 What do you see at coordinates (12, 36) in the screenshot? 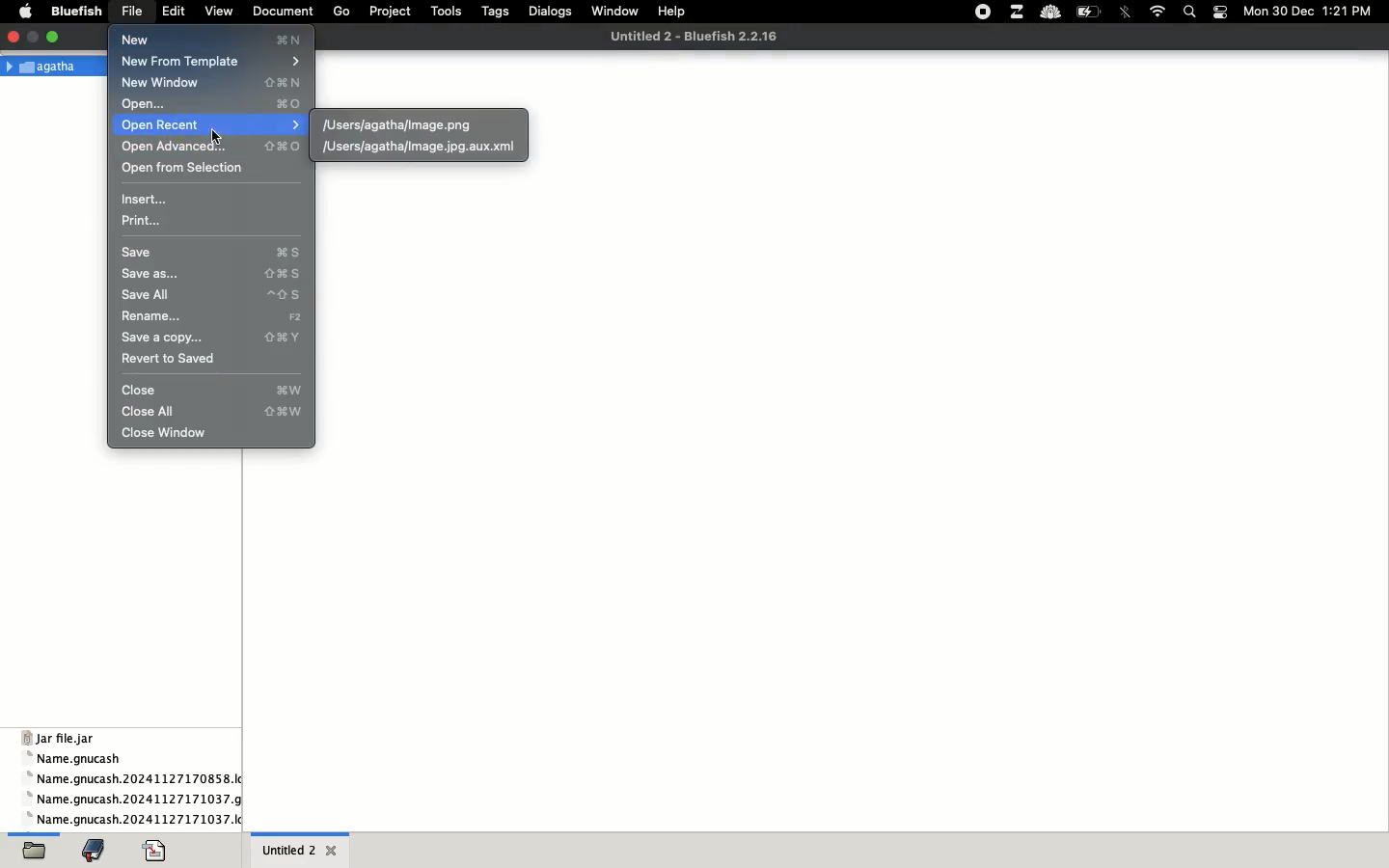
I see `close` at bounding box center [12, 36].